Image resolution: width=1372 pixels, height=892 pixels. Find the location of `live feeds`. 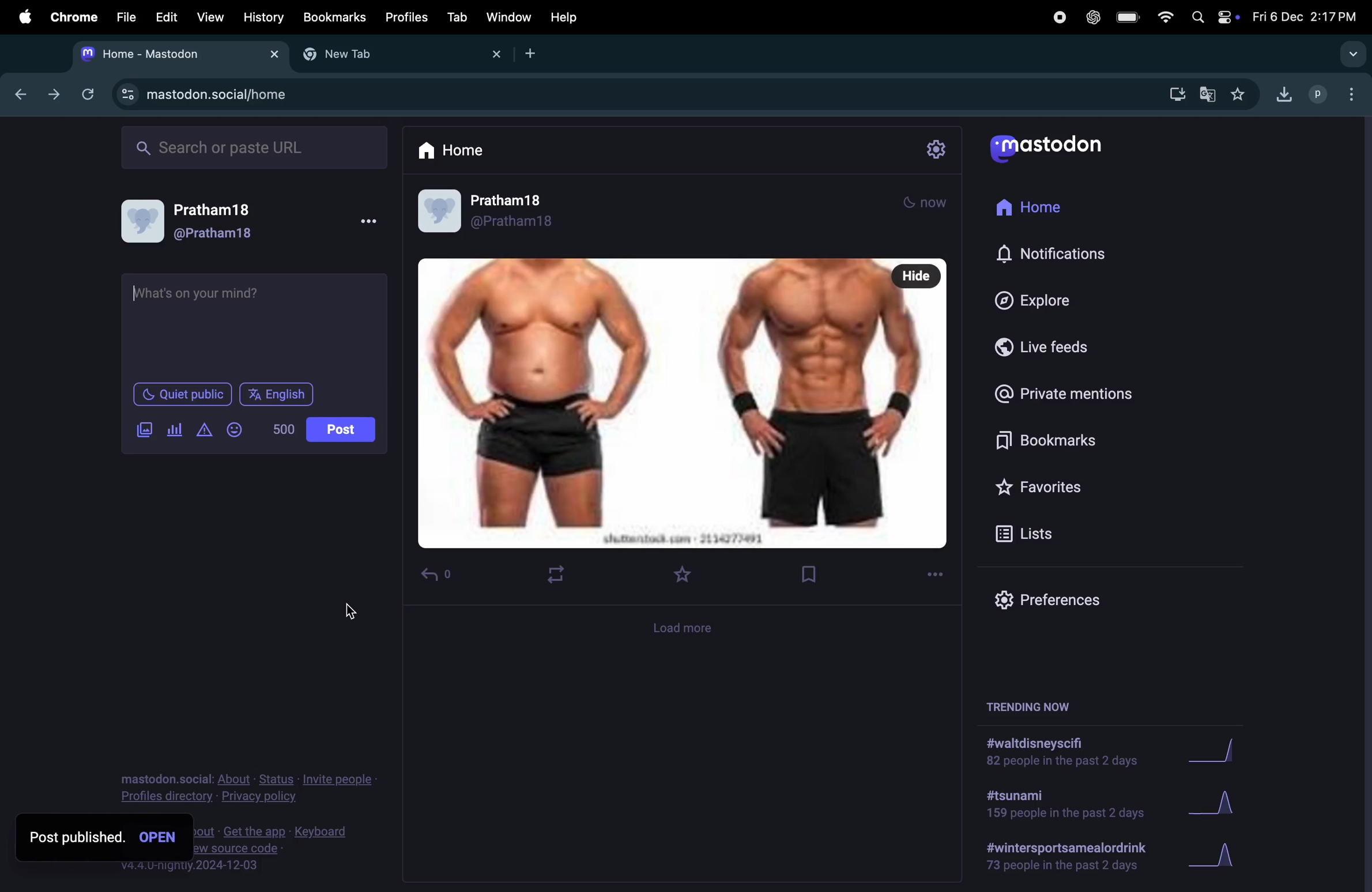

live feeds is located at coordinates (1053, 351).